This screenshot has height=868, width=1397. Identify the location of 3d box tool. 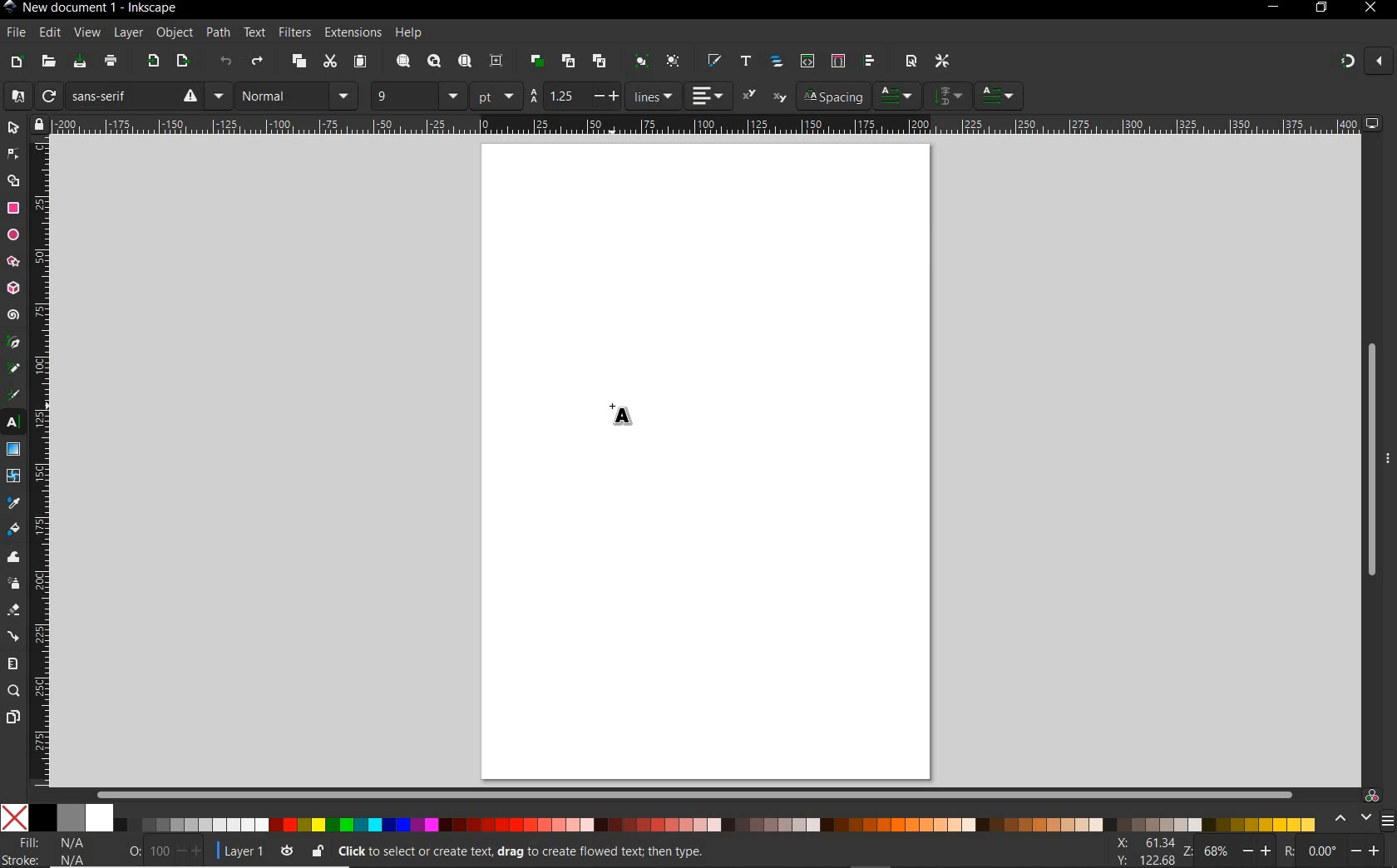
(13, 290).